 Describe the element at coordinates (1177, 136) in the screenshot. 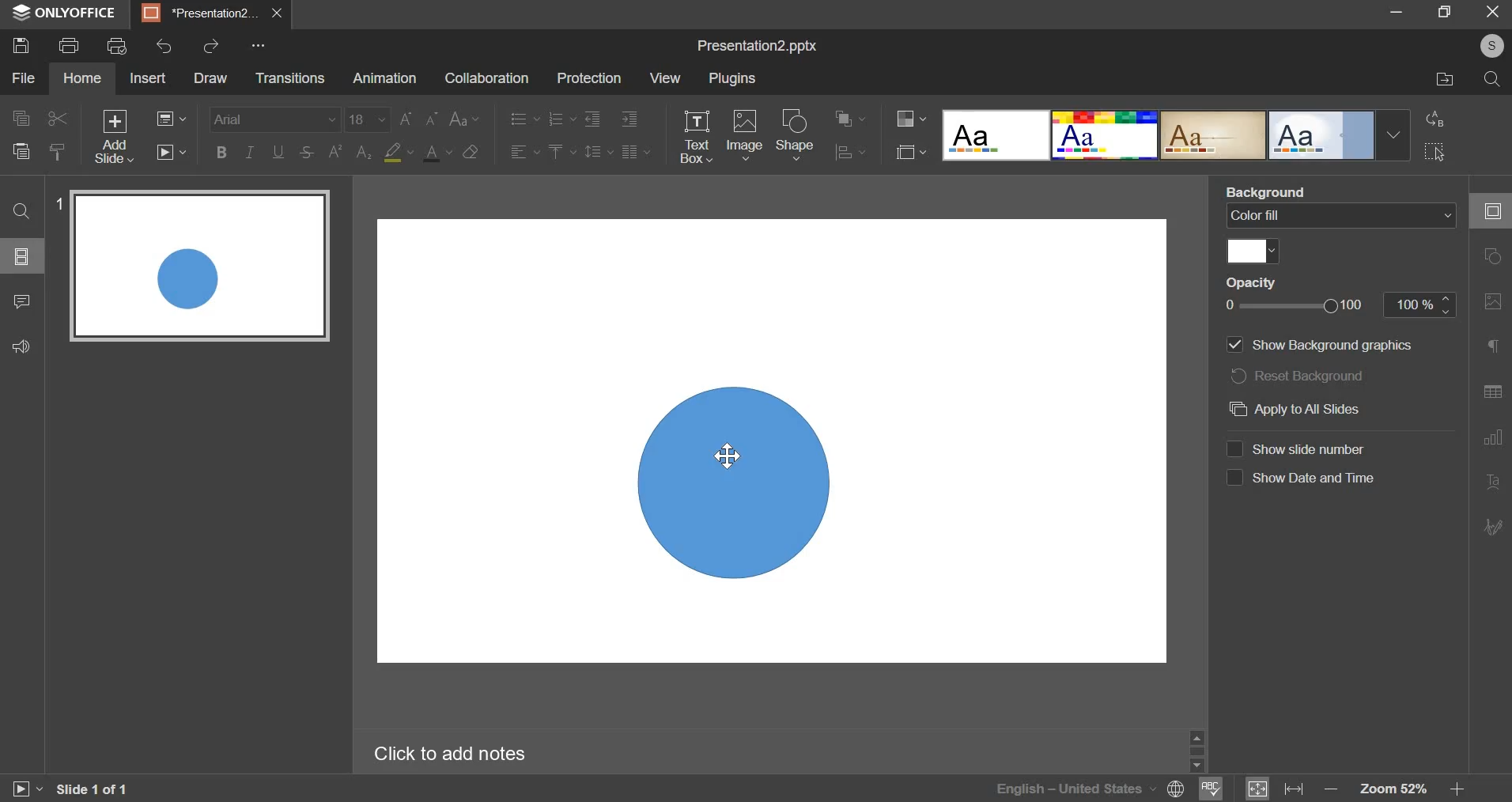

I see `word art` at that location.